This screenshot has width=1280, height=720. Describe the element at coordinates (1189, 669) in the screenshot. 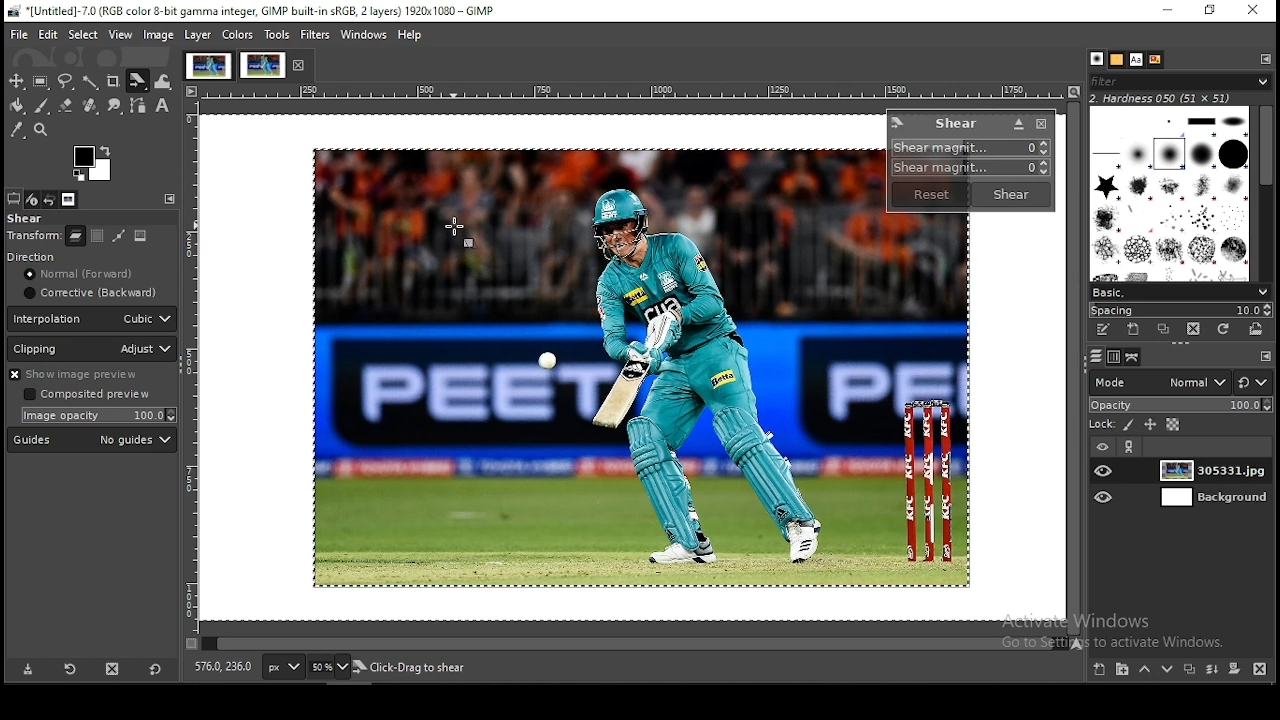

I see `duplicate layer` at that location.